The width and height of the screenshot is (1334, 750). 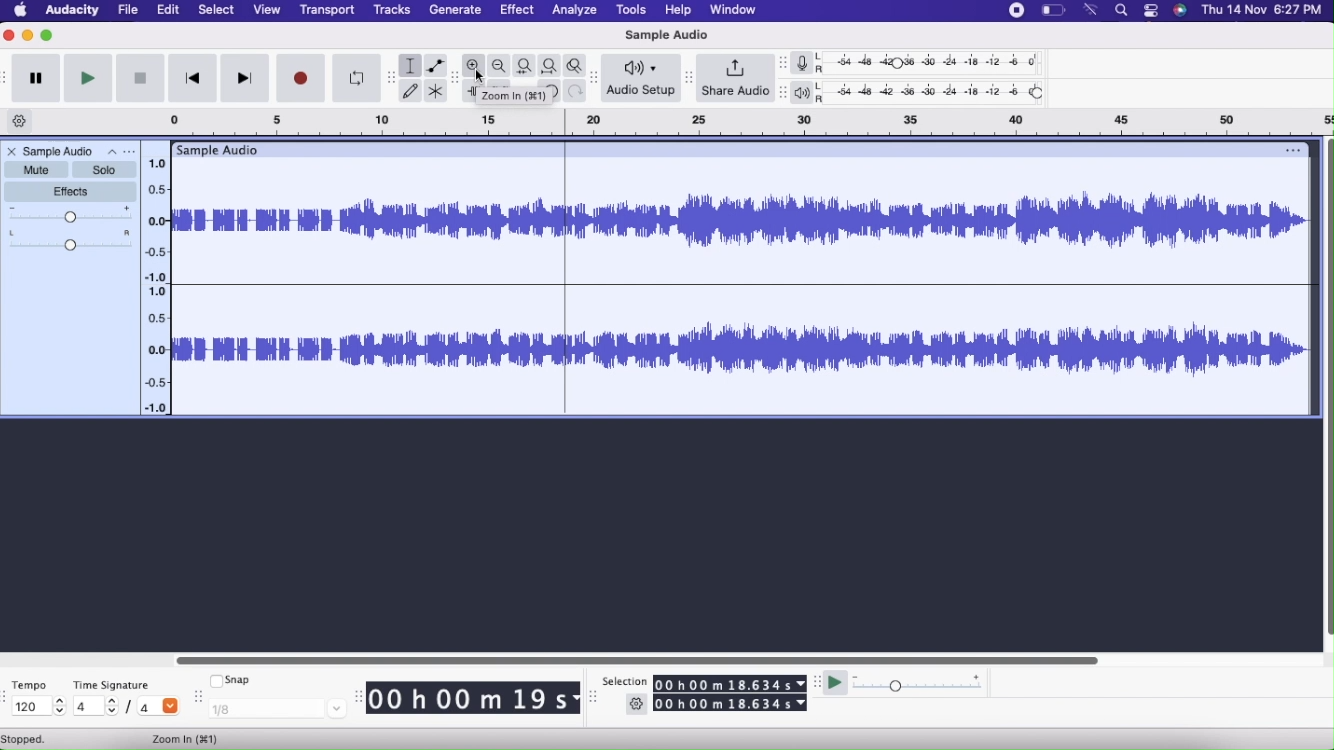 I want to click on Multi-tool, so click(x=438, y=90).